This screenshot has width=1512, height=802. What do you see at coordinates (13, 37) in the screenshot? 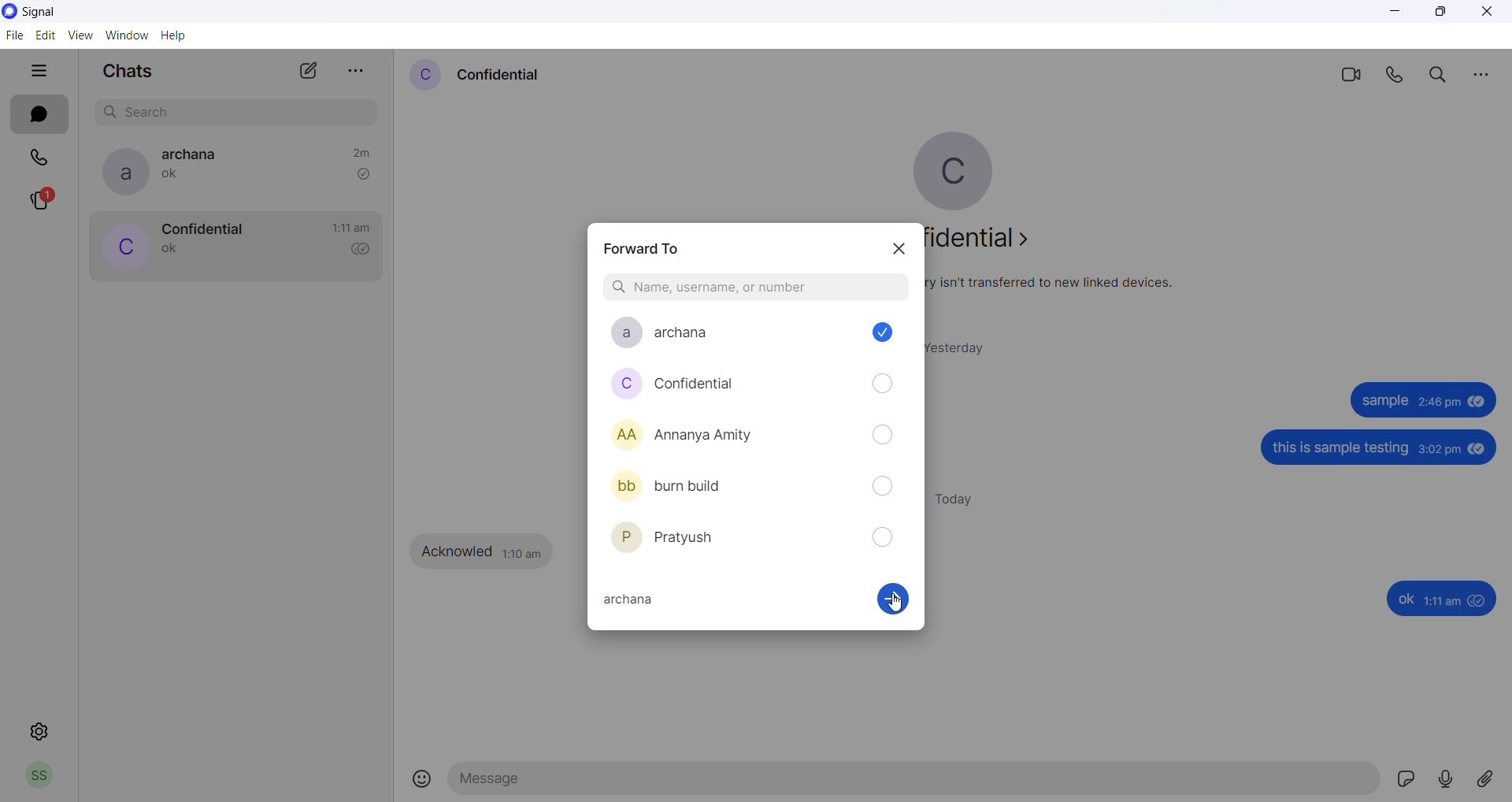
I see `file` at bounding box center [13, 37].